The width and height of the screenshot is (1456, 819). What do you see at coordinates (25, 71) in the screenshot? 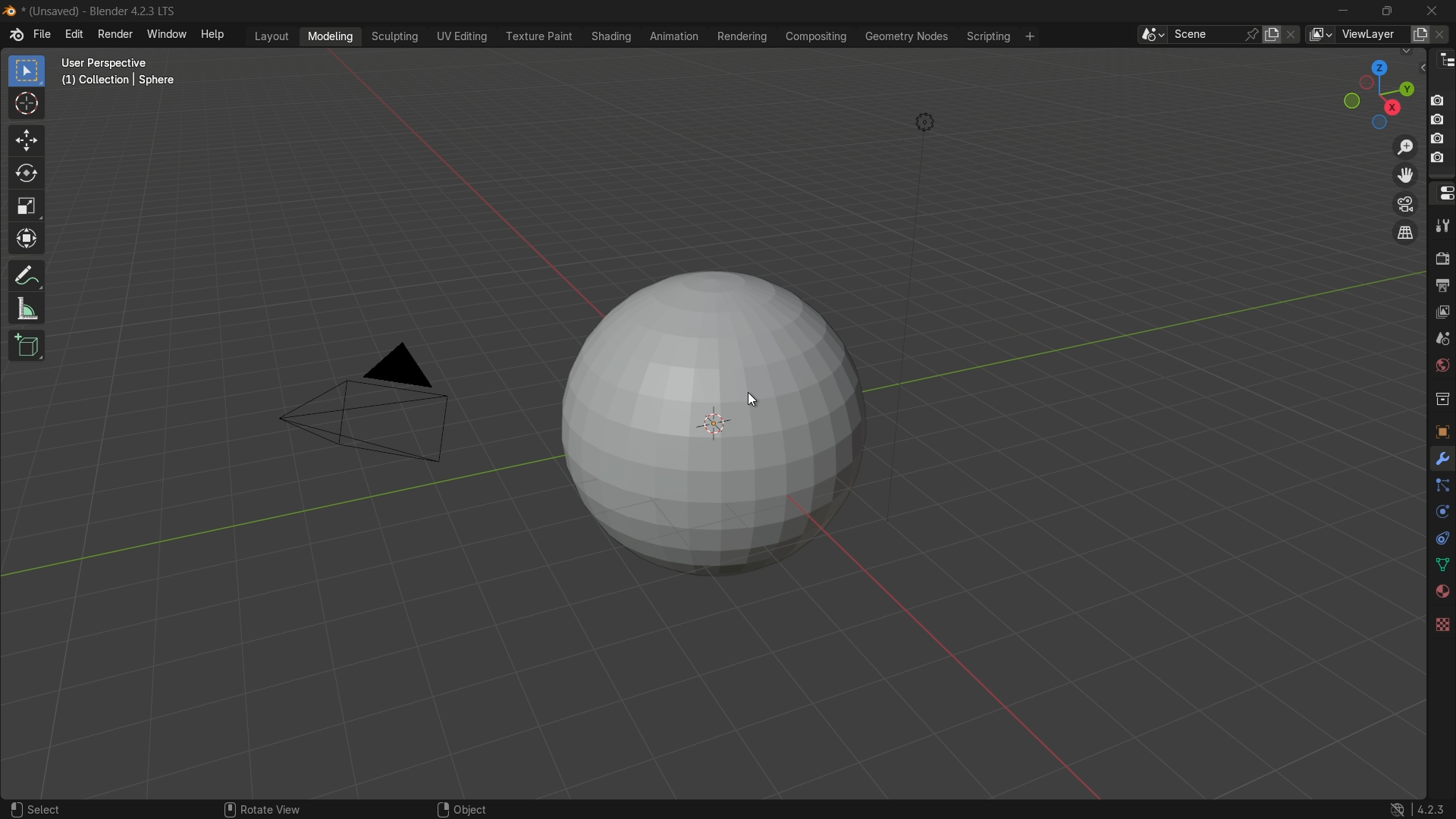
I see `select box` at bounding box center [25, 71].